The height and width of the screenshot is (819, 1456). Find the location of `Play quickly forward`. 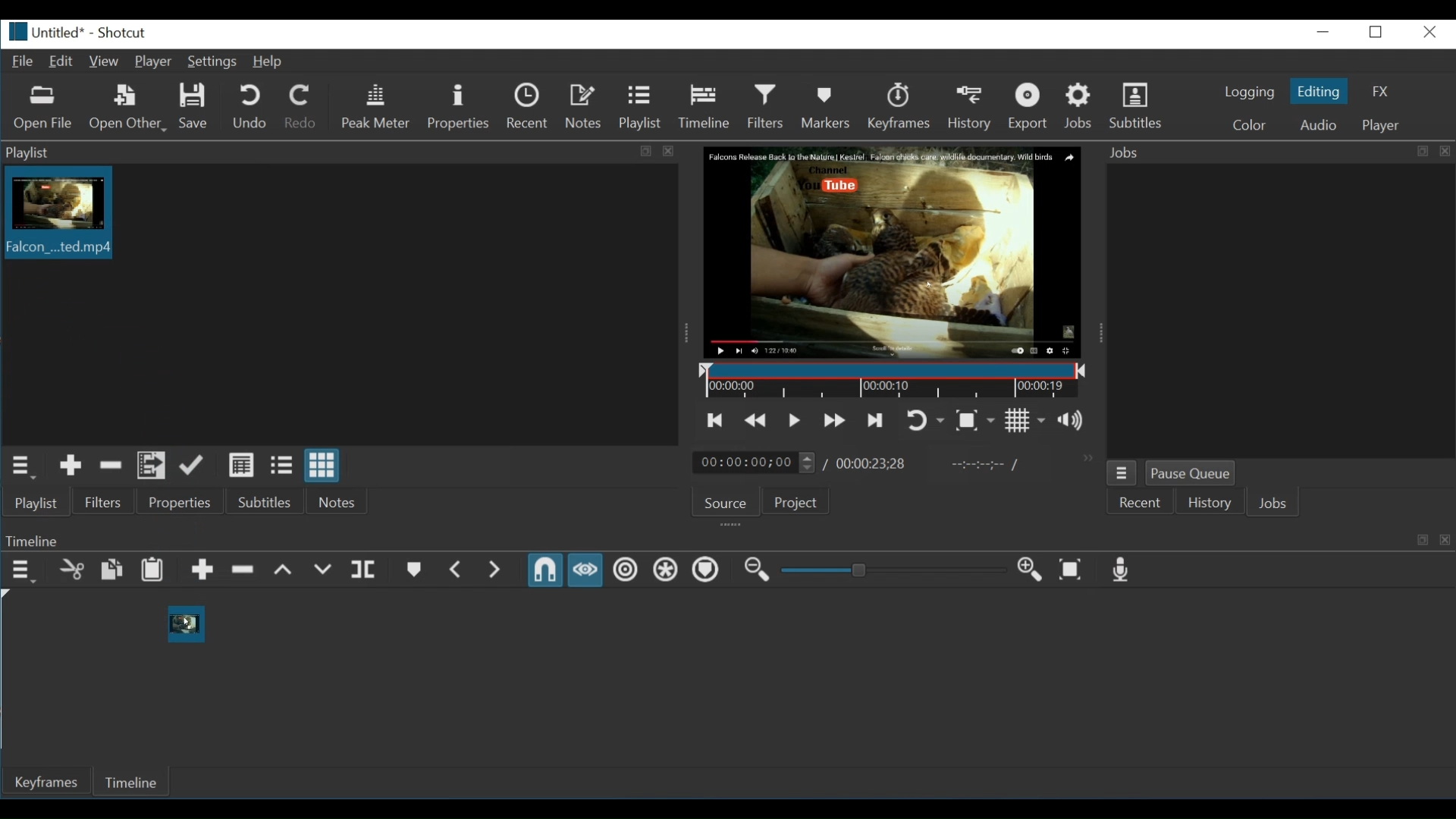

Play quickly forward is located at coordinates (835, 419).